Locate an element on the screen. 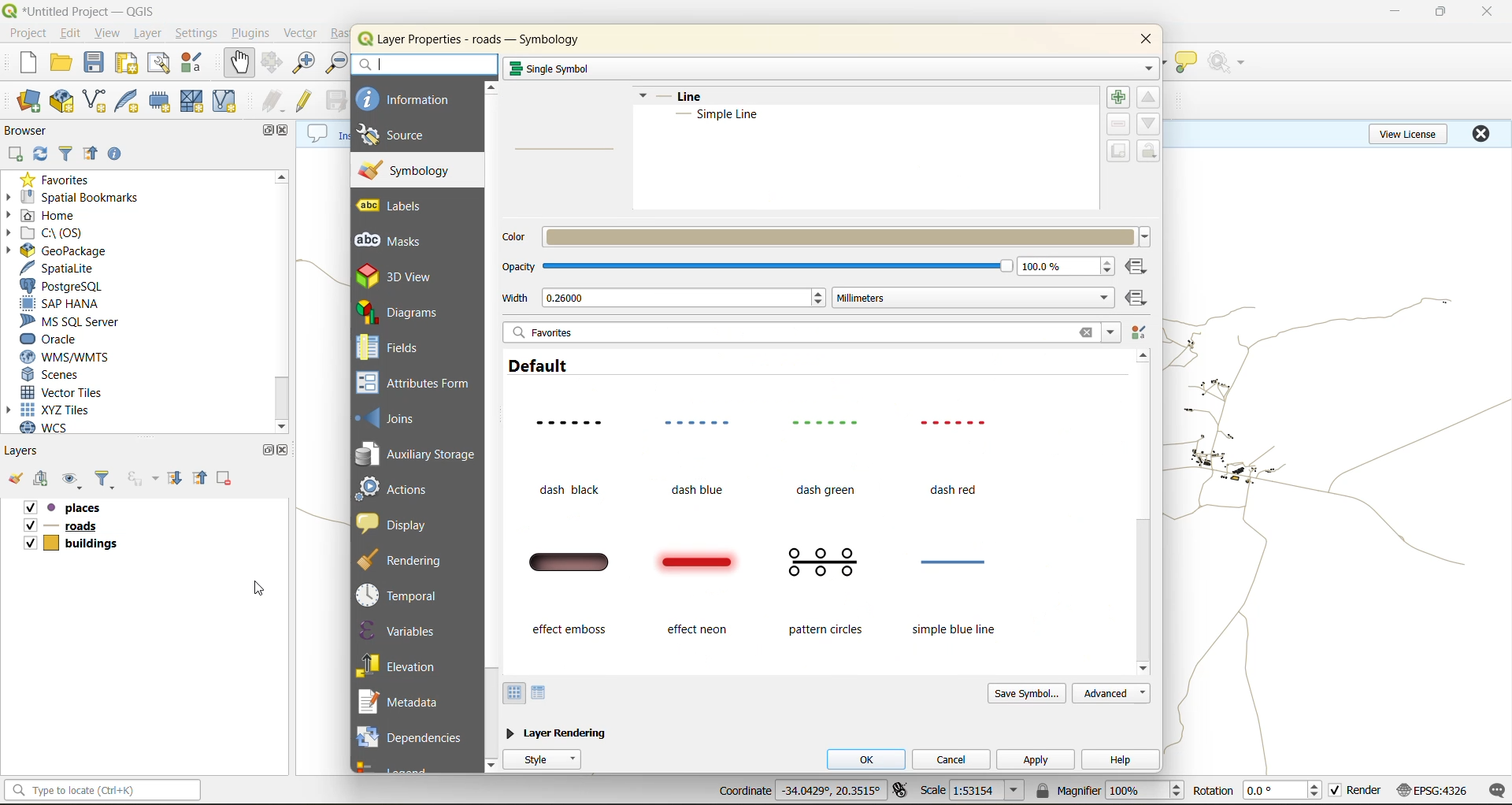 This screenshot has width=1512, height=805. no action is located at coordinates (1227, 63).